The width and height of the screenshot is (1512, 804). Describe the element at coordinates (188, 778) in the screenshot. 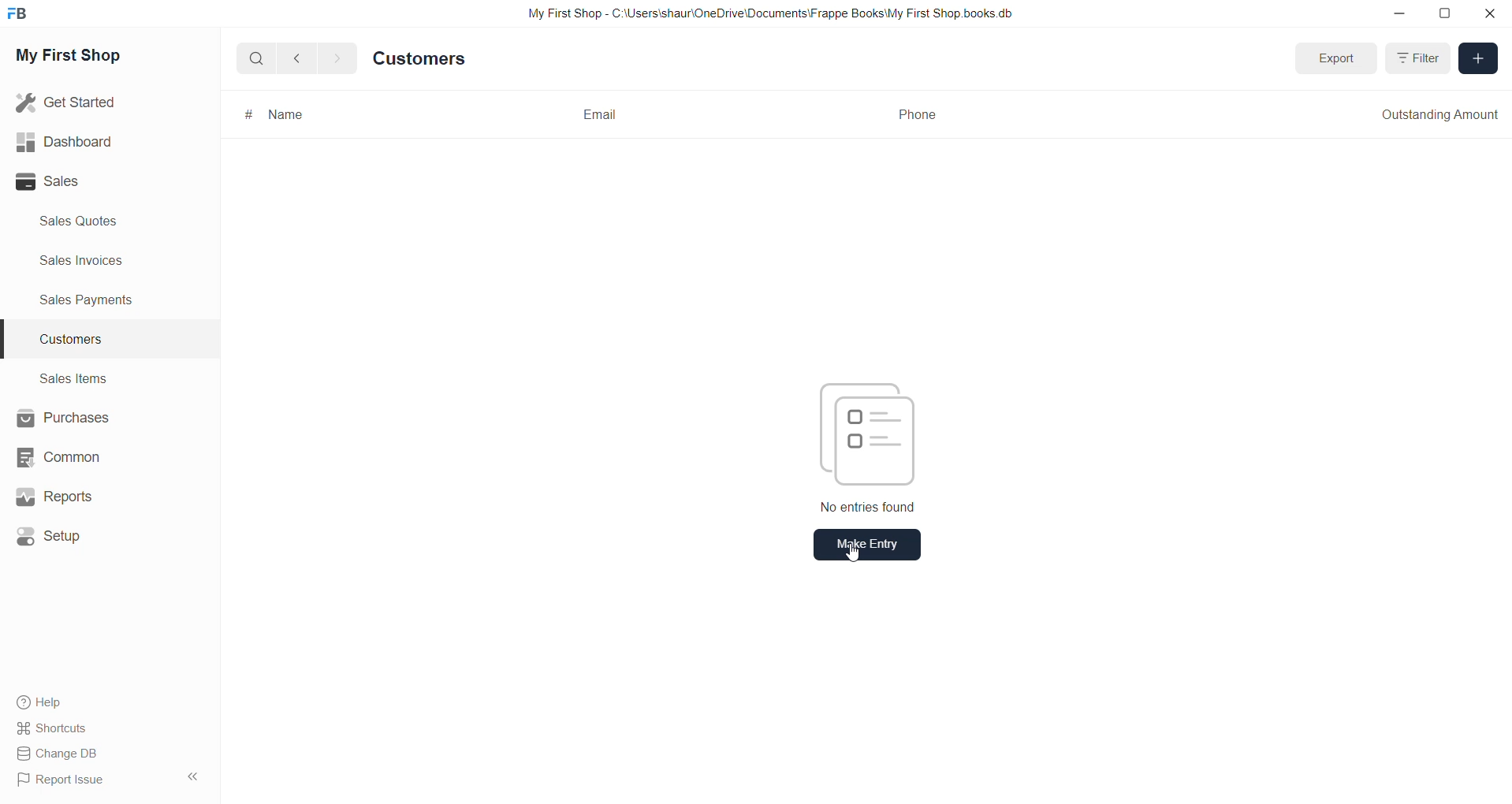

I see `hide sidebar` at that location.